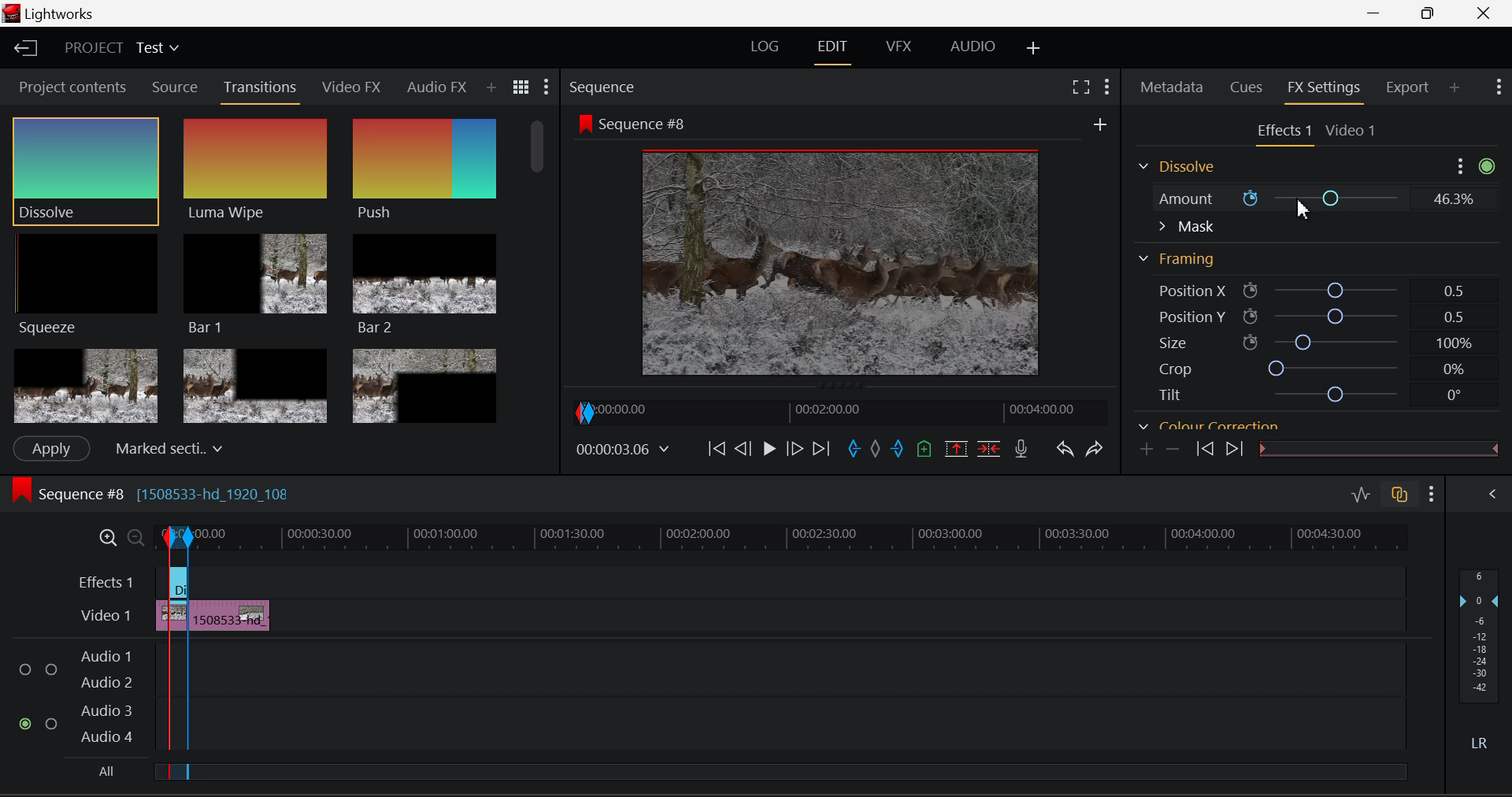 The image size is (1512, 797). Describe the element at coordinates (106, 617) in the screenshot. I see `Video Layer` at that location.